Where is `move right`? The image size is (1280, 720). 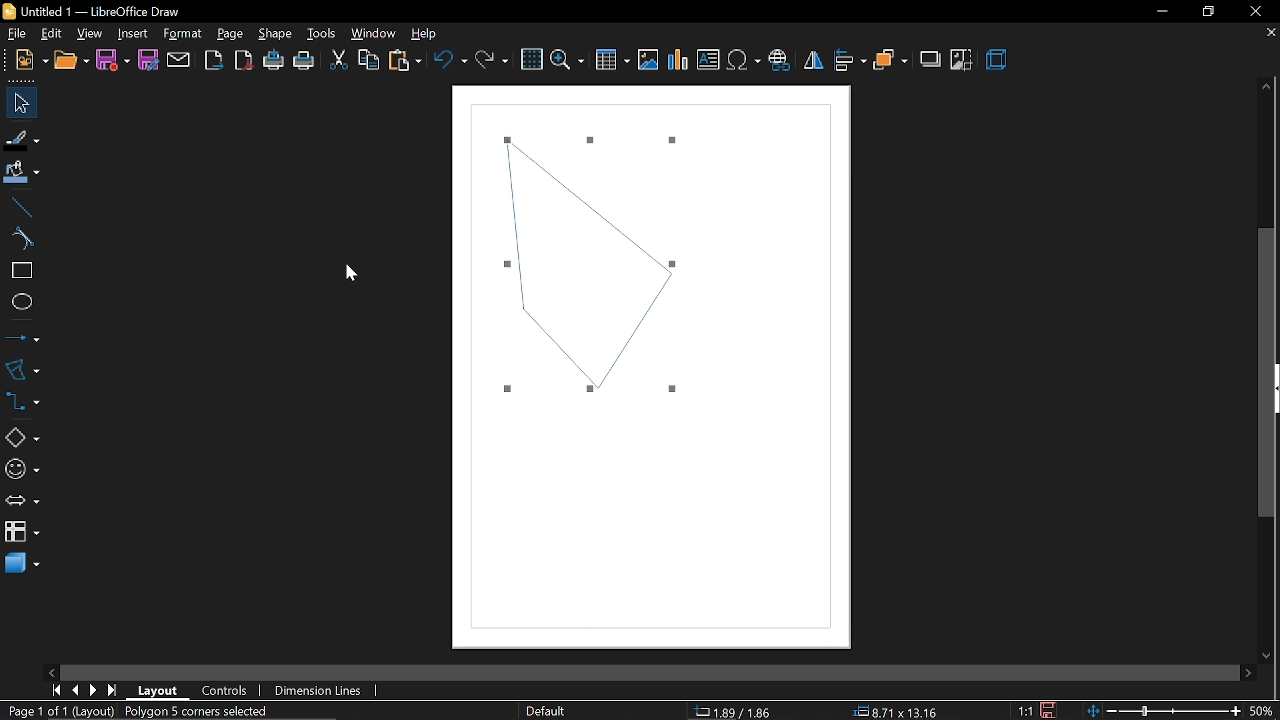 move right is located at coordinates (1245, 670).